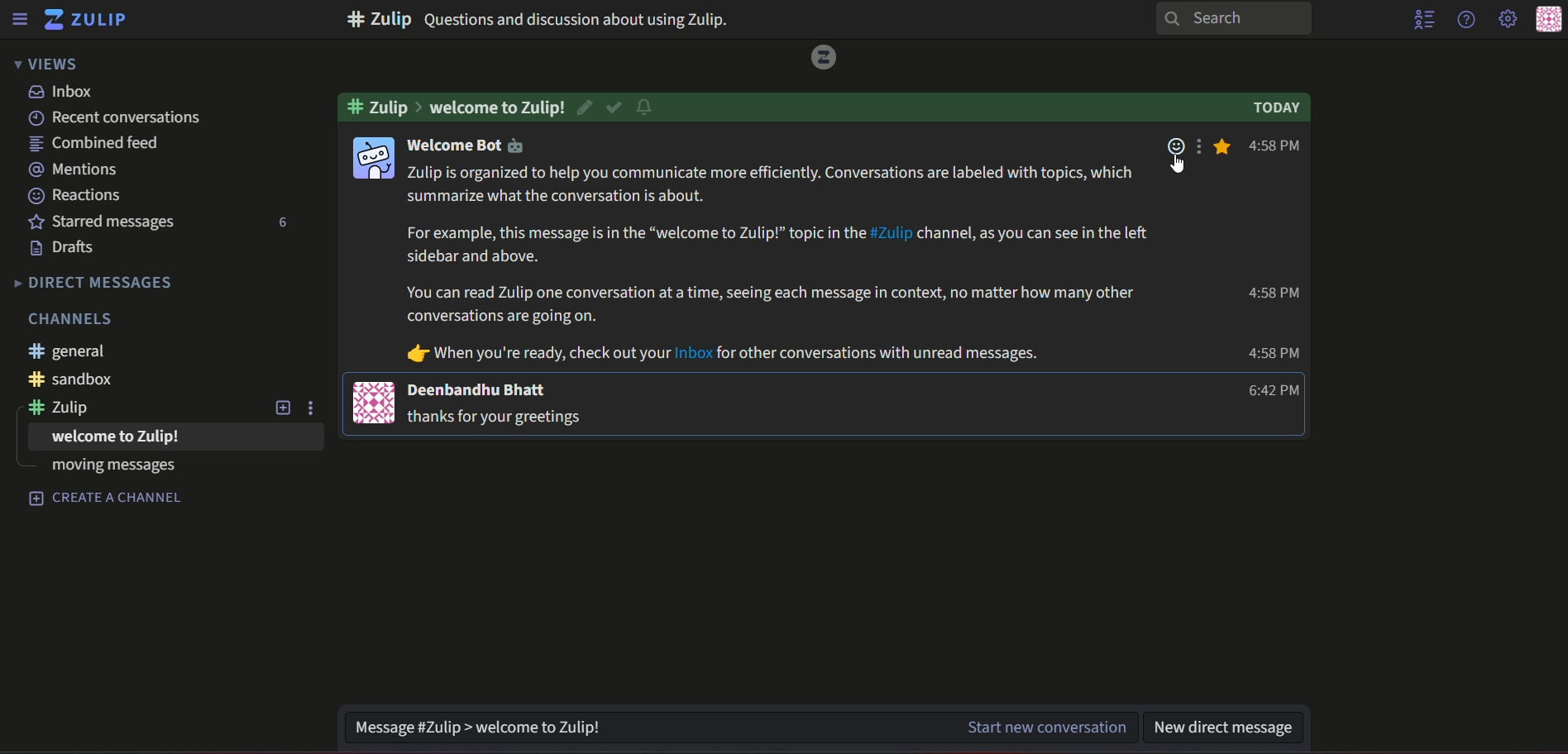 The height and width of the screenshot is (754, 1568). What do you see at coordinates (122, 118) in the screenshot?
I see `Recent conversations` at bounding box center [122, 118].